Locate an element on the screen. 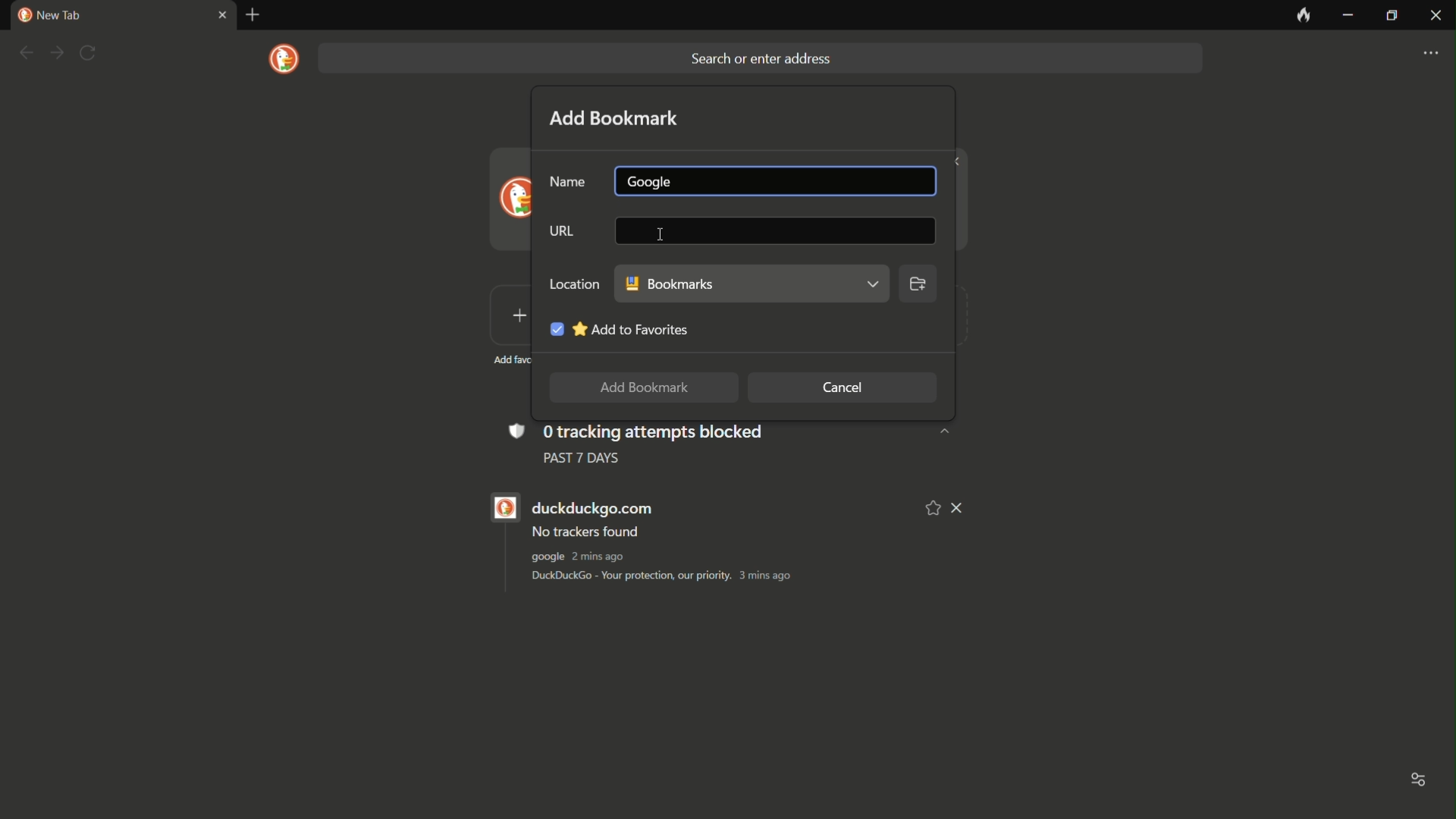  refresh is located at coordinates (88, 53).